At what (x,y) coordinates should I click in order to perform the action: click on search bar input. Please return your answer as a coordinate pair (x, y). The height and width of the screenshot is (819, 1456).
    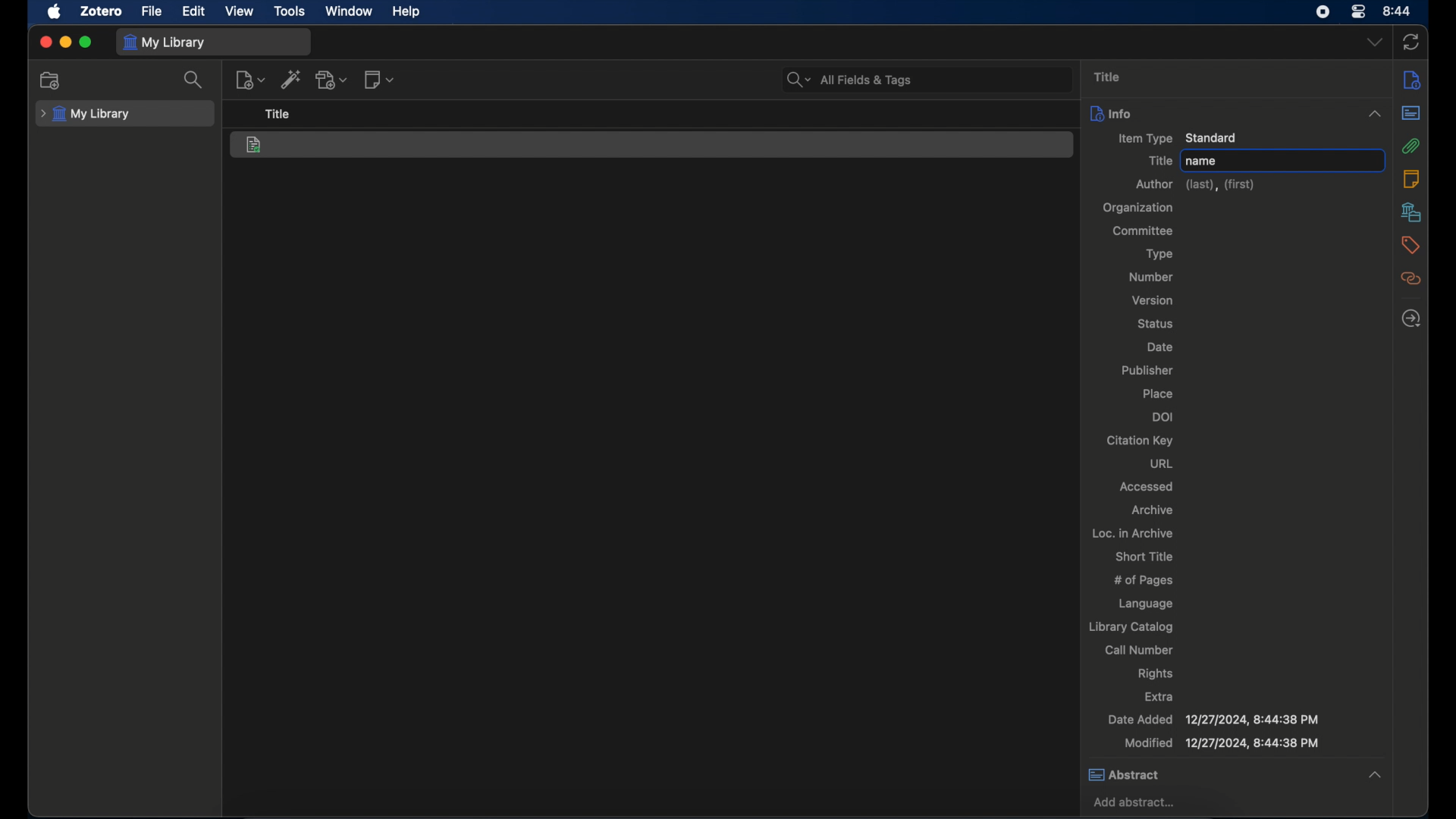
    Looking at the image, I should click on (943, 79).